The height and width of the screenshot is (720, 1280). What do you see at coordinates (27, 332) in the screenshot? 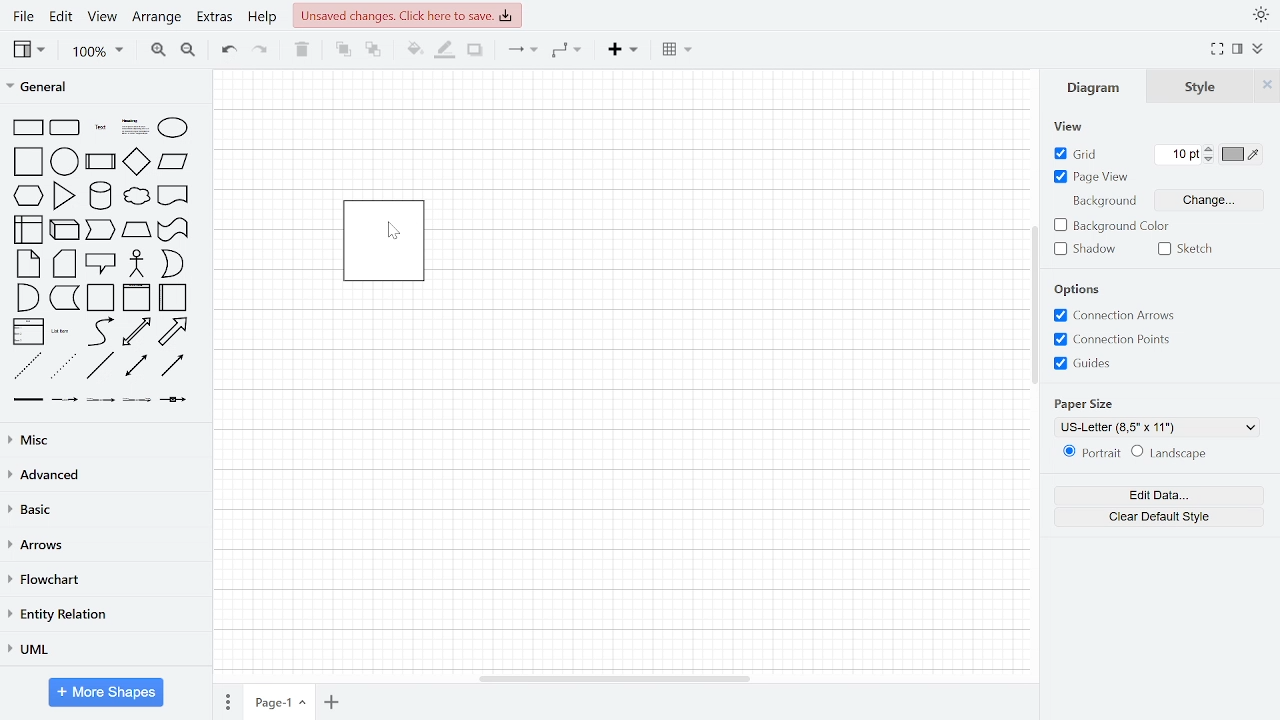
I see `list` at bounding box center [27, 332].